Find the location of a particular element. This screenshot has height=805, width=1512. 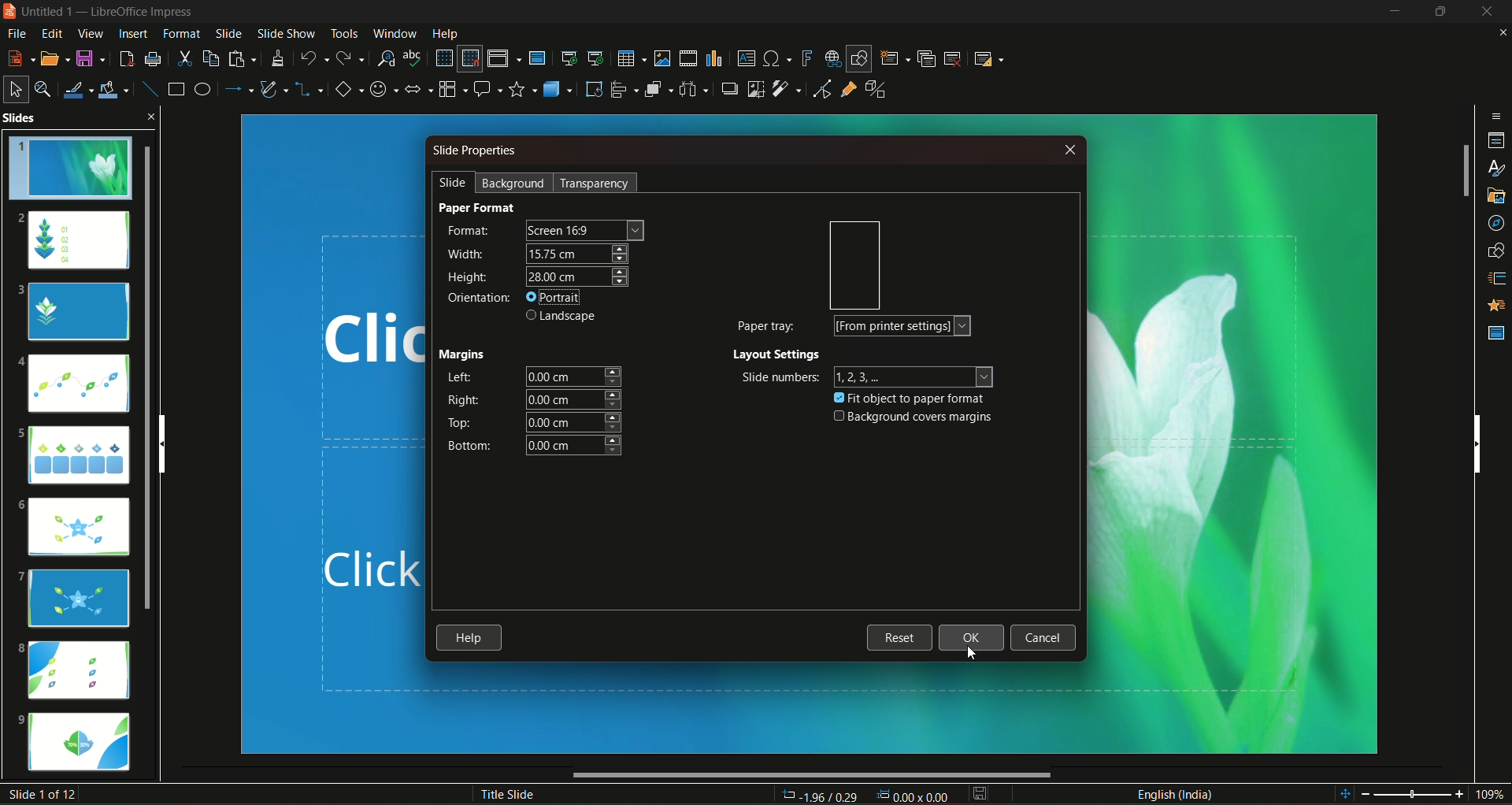

redo is located at coordinates (352, 57).